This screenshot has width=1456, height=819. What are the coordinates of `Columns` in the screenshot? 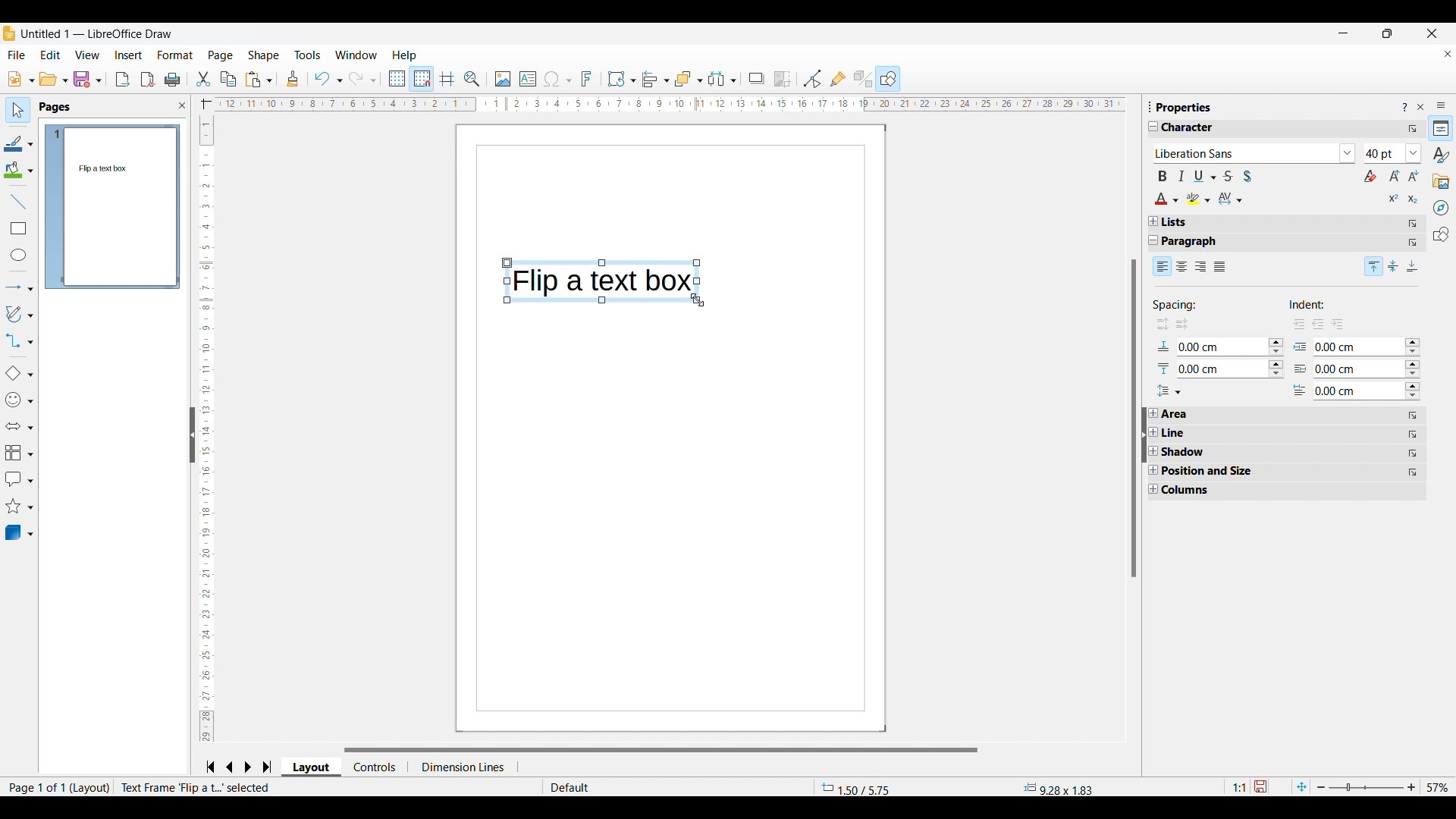 It's located at (1192, 491).